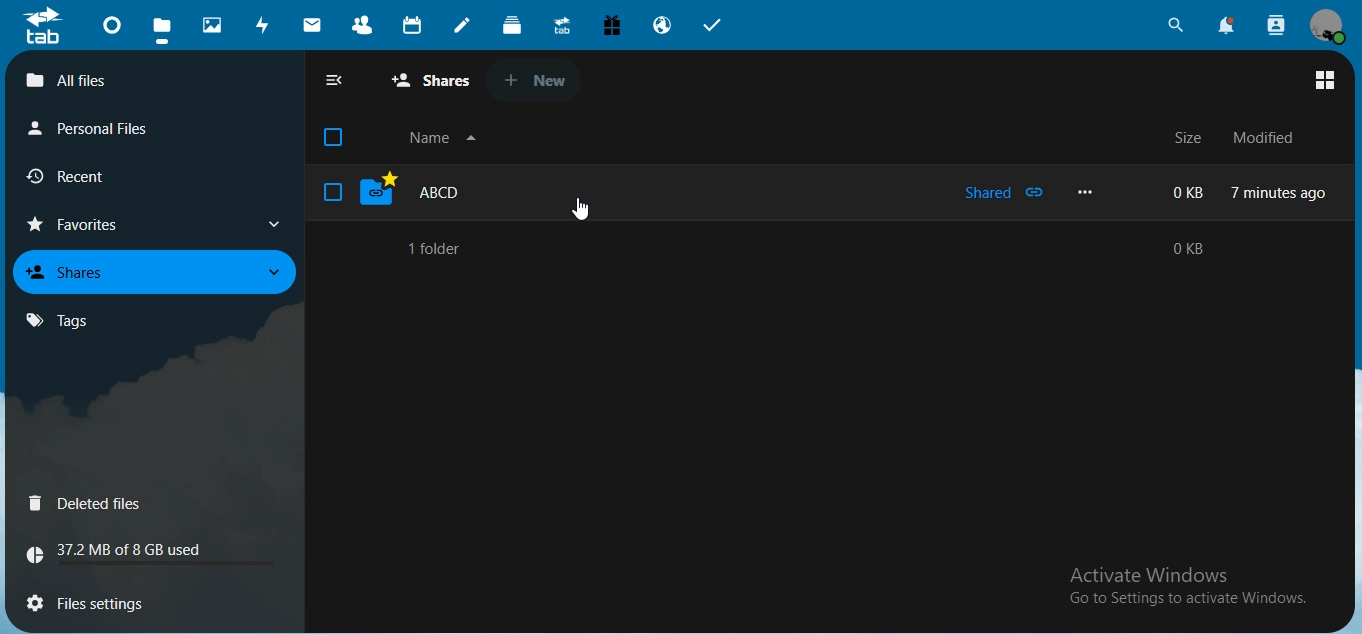 This screenshot has width=1362, height=634. I want to click on free trial, so click(614, 24).